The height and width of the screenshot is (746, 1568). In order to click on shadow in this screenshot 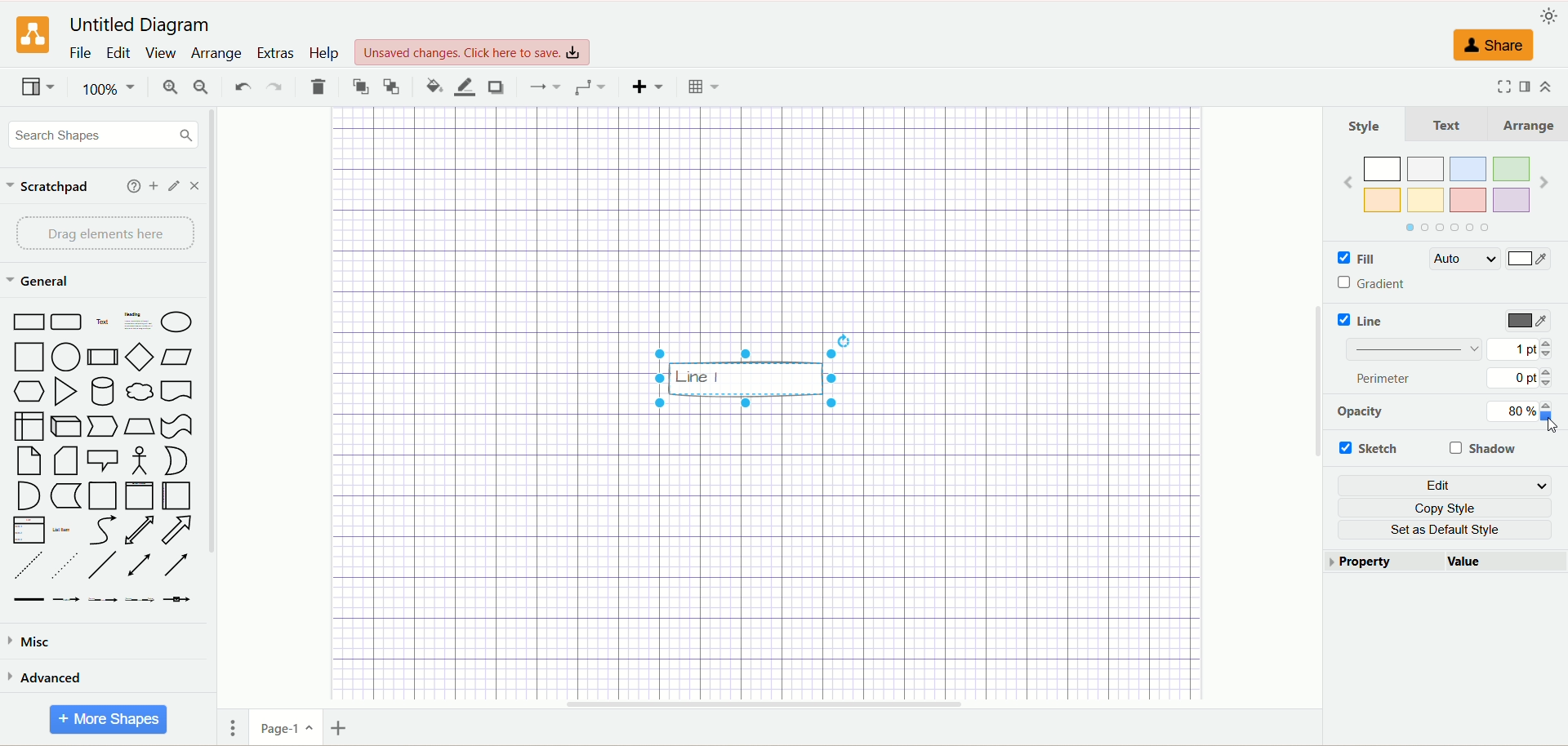, I will do `click(1487, 449)`.